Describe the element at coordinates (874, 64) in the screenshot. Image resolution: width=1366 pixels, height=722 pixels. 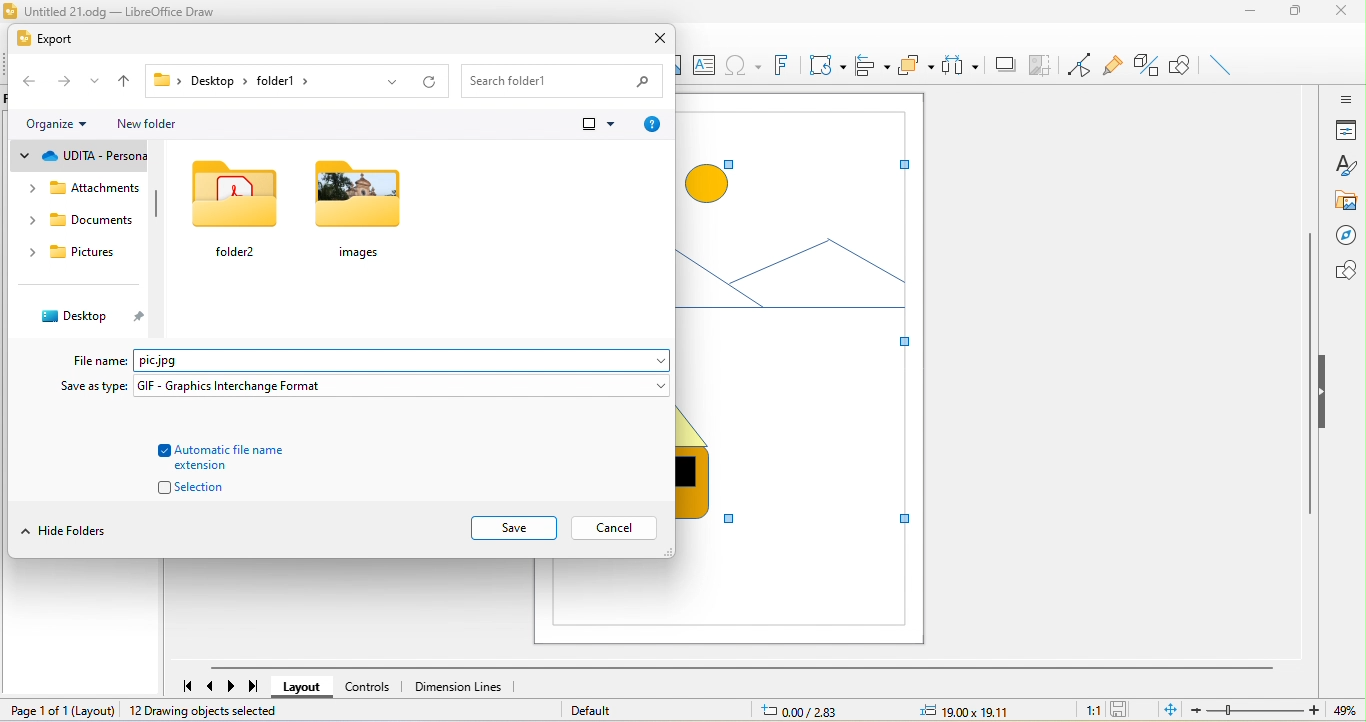
I see `align objects` at that location.